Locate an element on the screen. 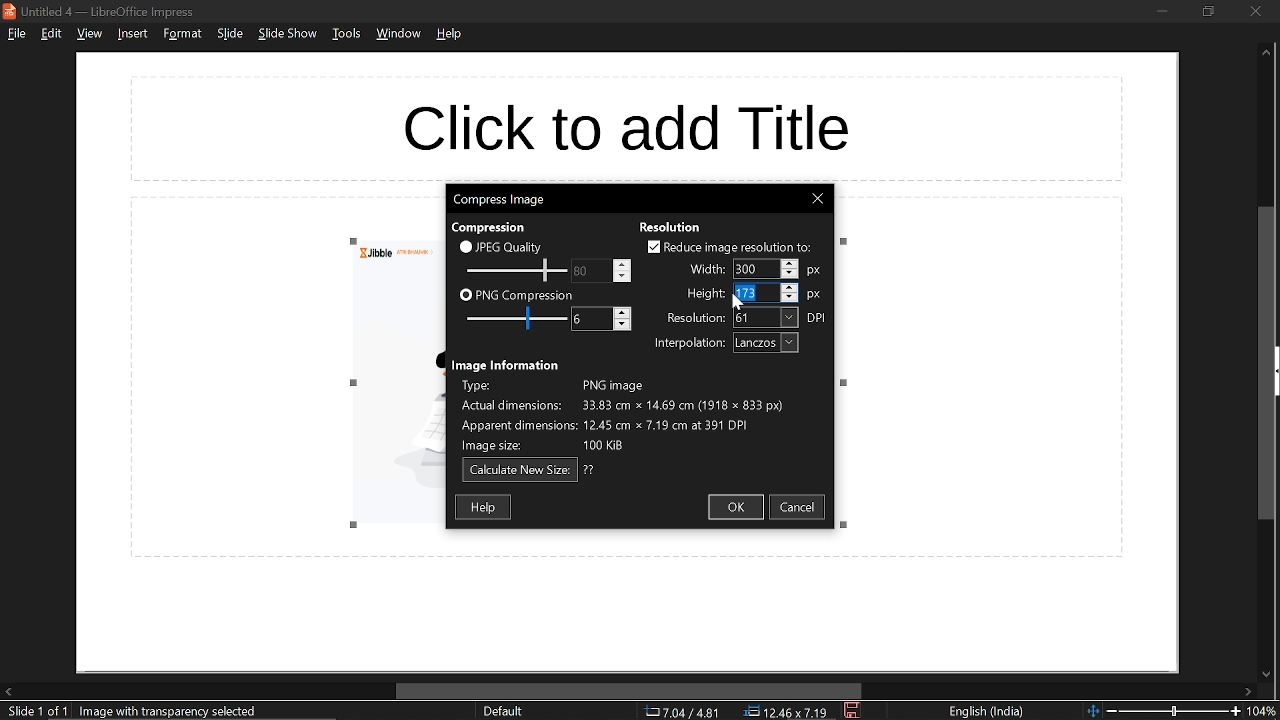  Cursor is located at coordinates (739, 302).